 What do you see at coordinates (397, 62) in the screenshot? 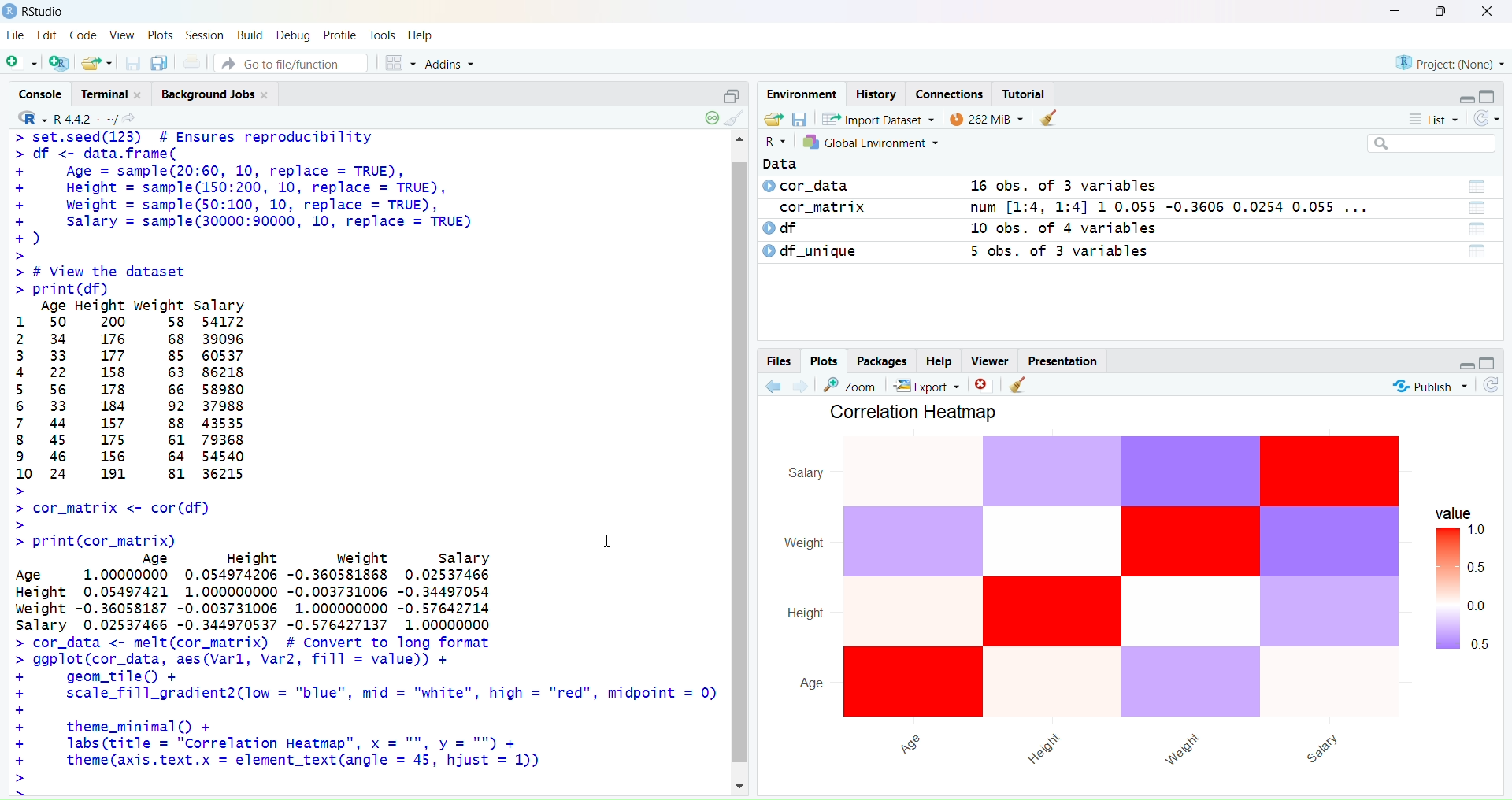
I see `Workspace panes` at bounding box center [397, 62].